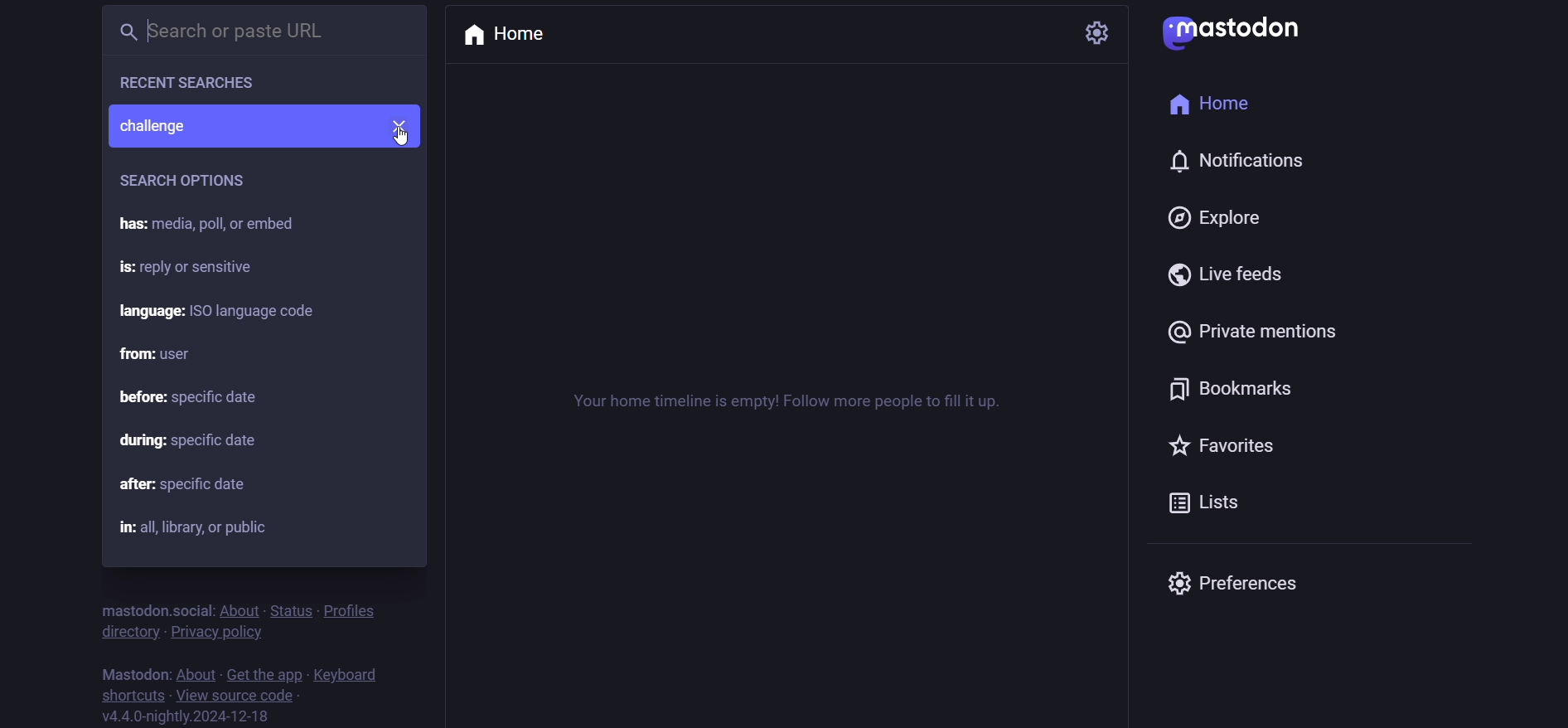  Describe the element at coordinates (351, 609) in the screenshot. I see `profile` at that location.